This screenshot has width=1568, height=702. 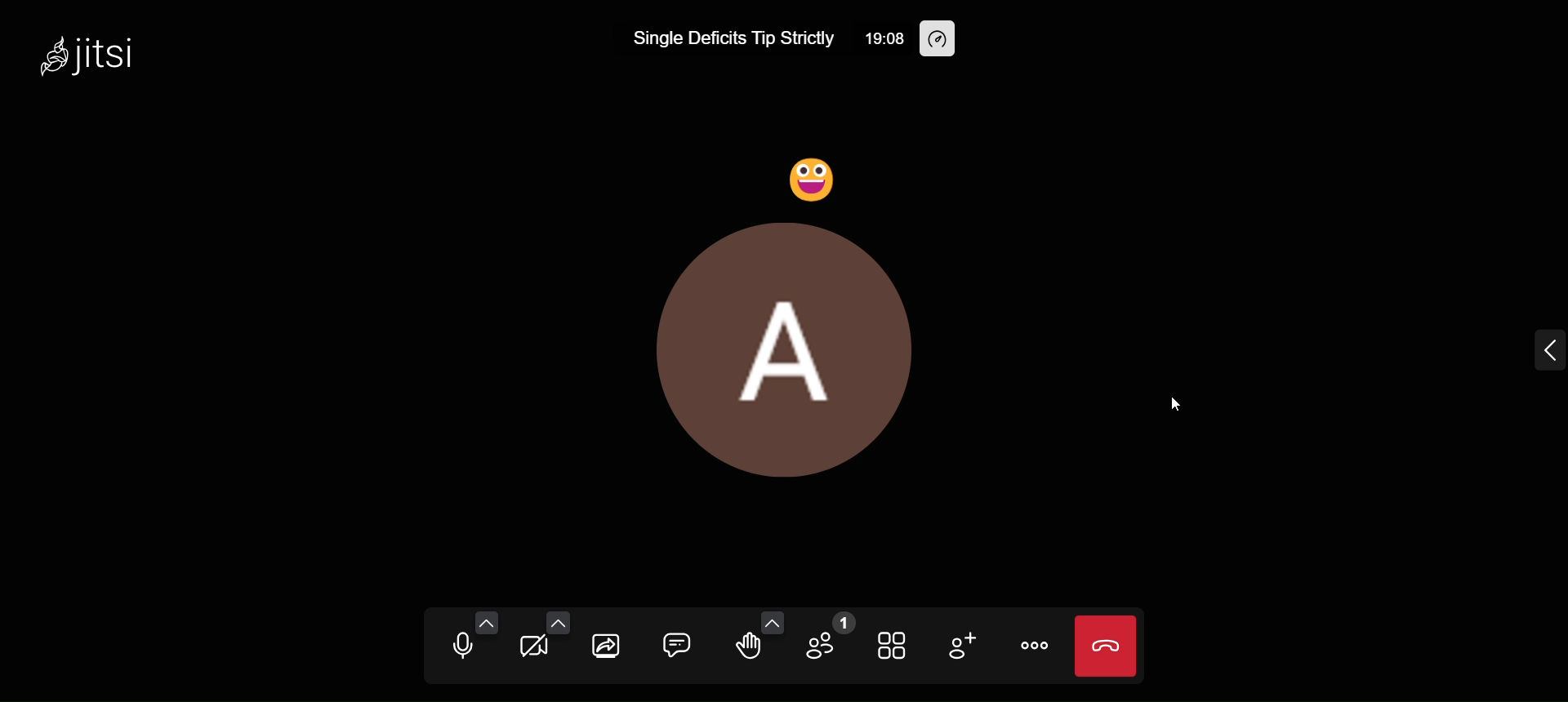 I want to click on more emoji option, so click(x=774, y=622).